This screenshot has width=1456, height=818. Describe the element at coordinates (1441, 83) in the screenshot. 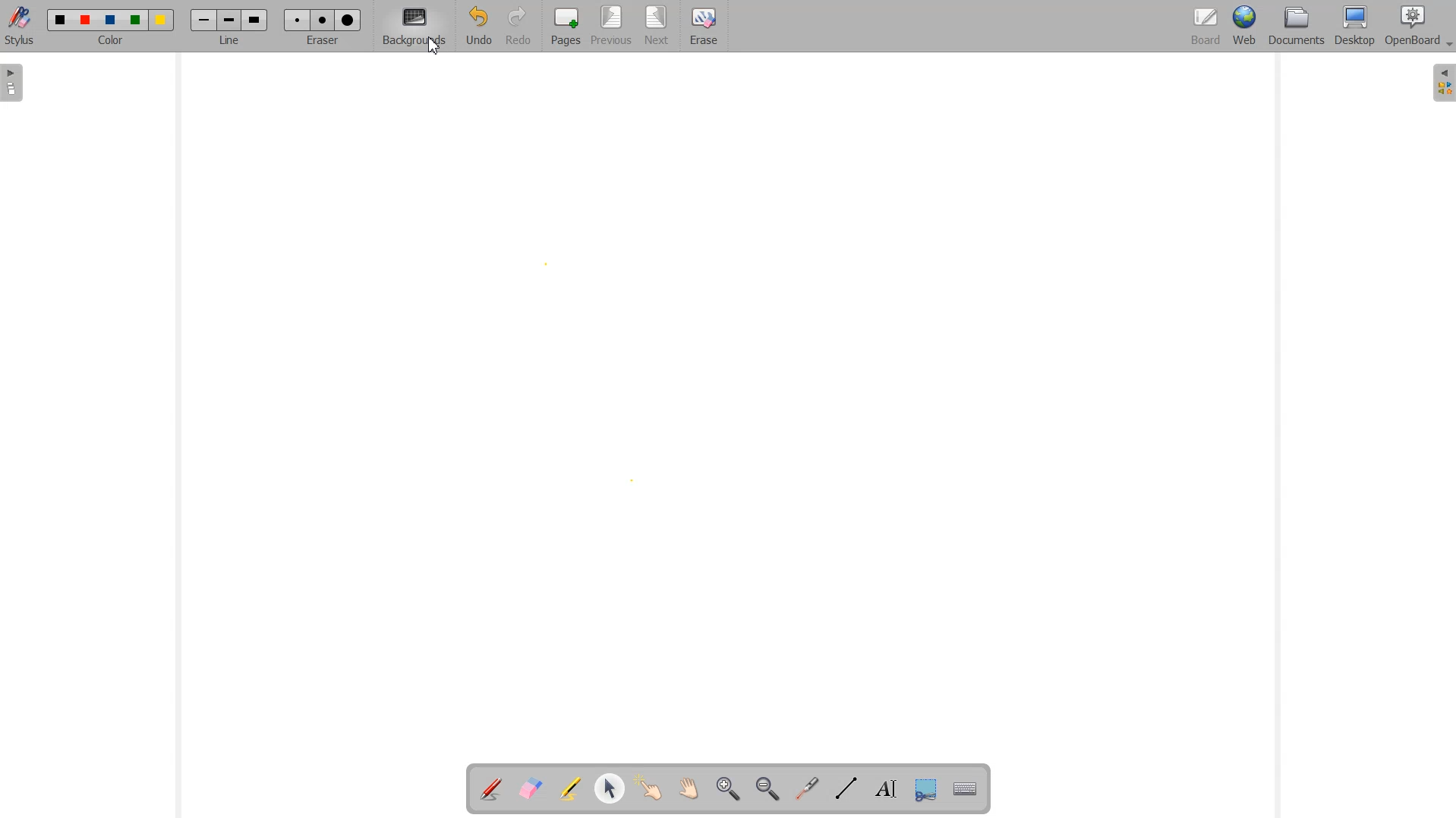

I see `Sidebar ` at that location.